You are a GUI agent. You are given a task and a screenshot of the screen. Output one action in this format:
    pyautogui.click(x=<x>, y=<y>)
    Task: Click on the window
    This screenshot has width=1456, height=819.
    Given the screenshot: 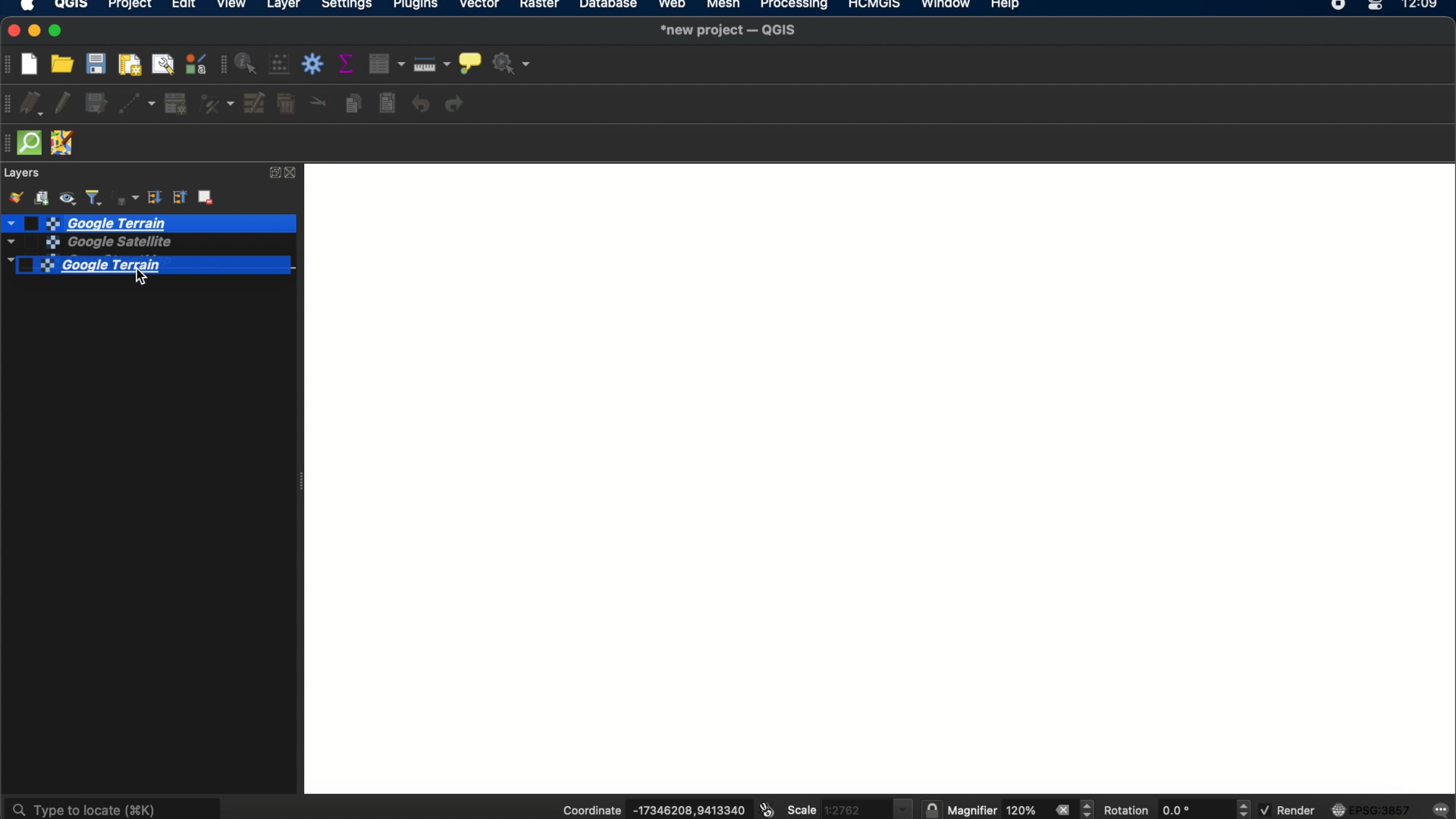 What is the action you would take?
    pyautogui.click(x=945, y=6)
    